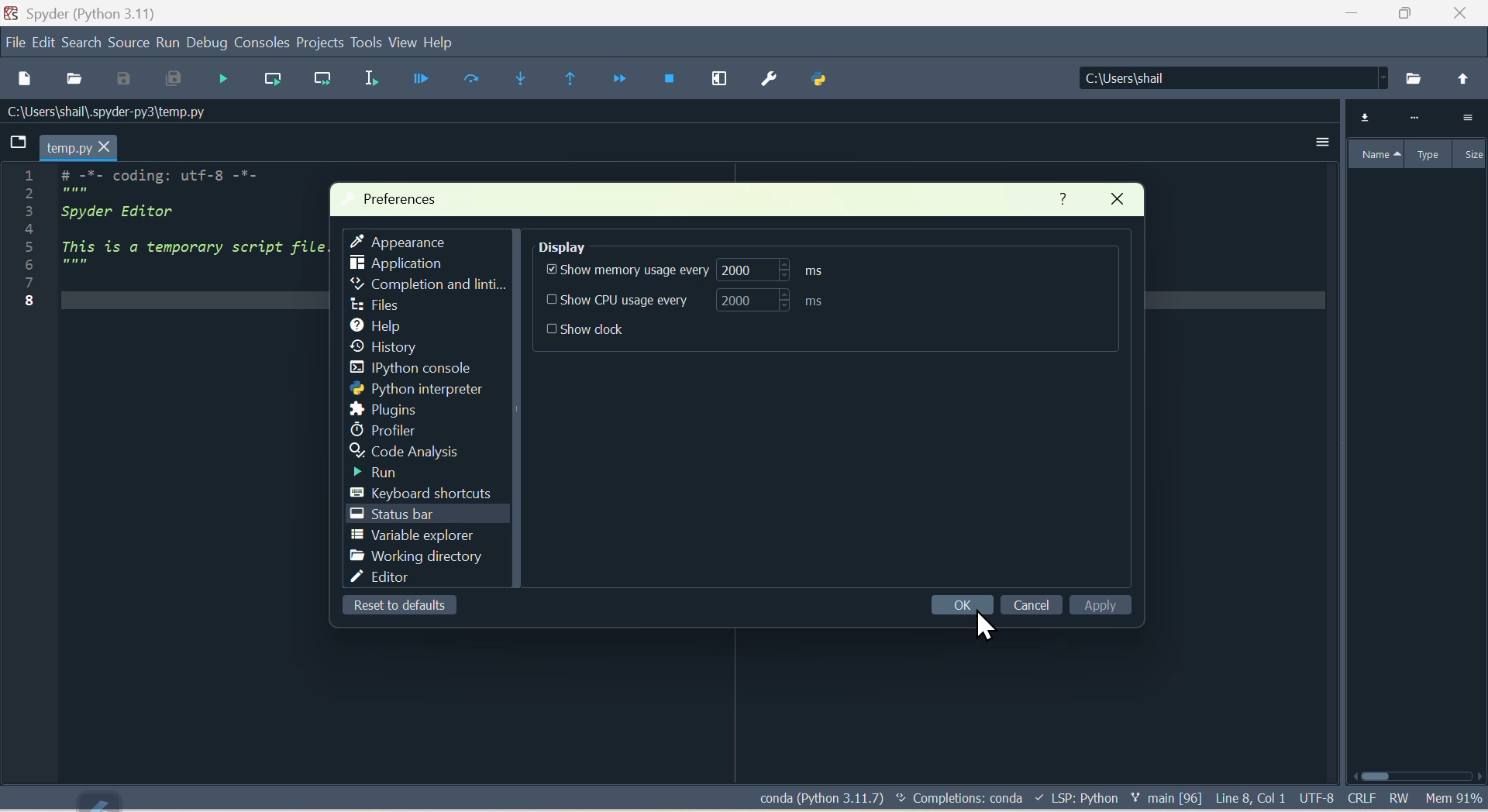  I want to click on Display, so click(567, 240).